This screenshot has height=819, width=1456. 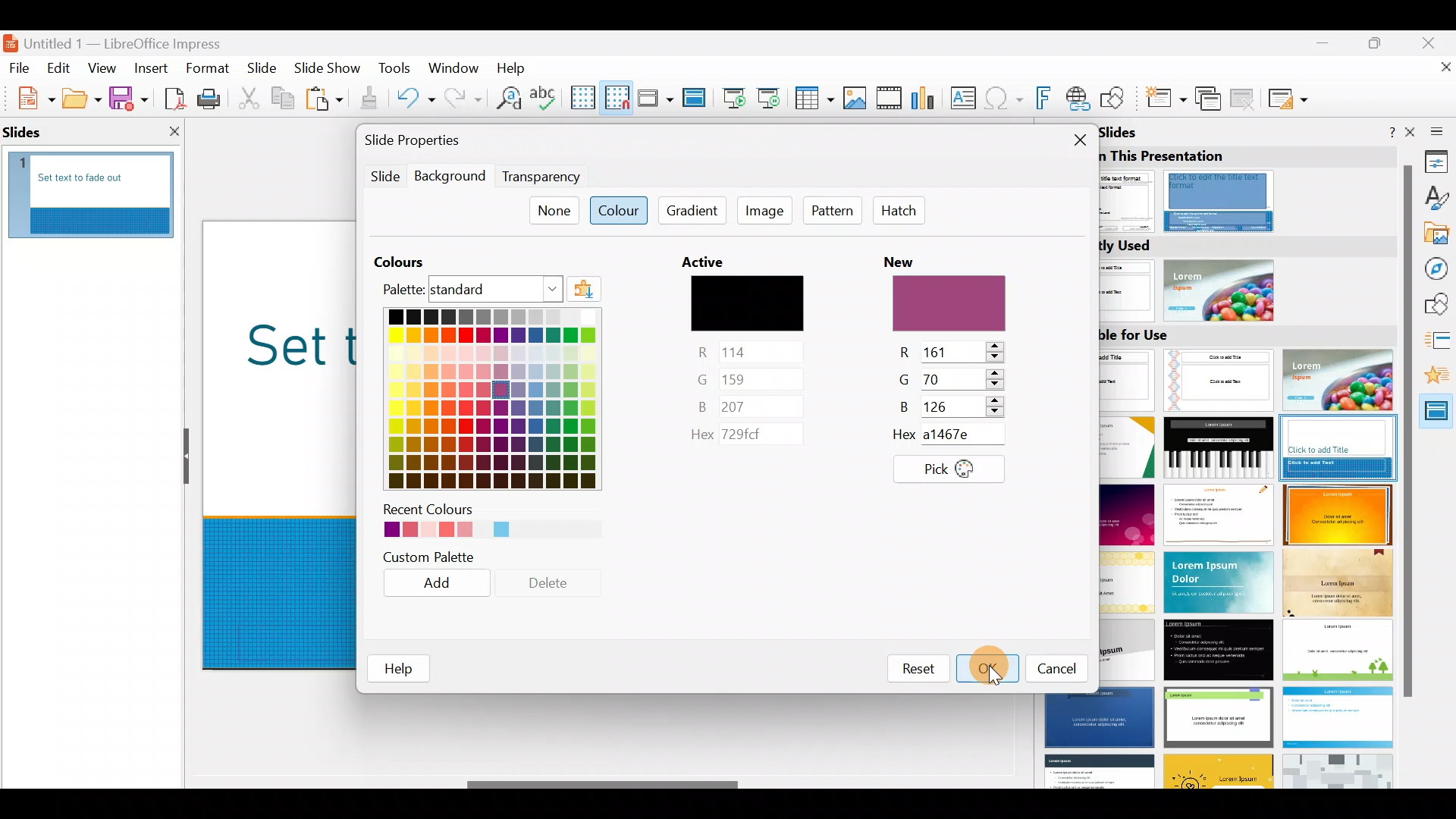 What do you see at coordinates (514, 67) in the screenshot?
I see `Help` at bounding box center [514, 67].